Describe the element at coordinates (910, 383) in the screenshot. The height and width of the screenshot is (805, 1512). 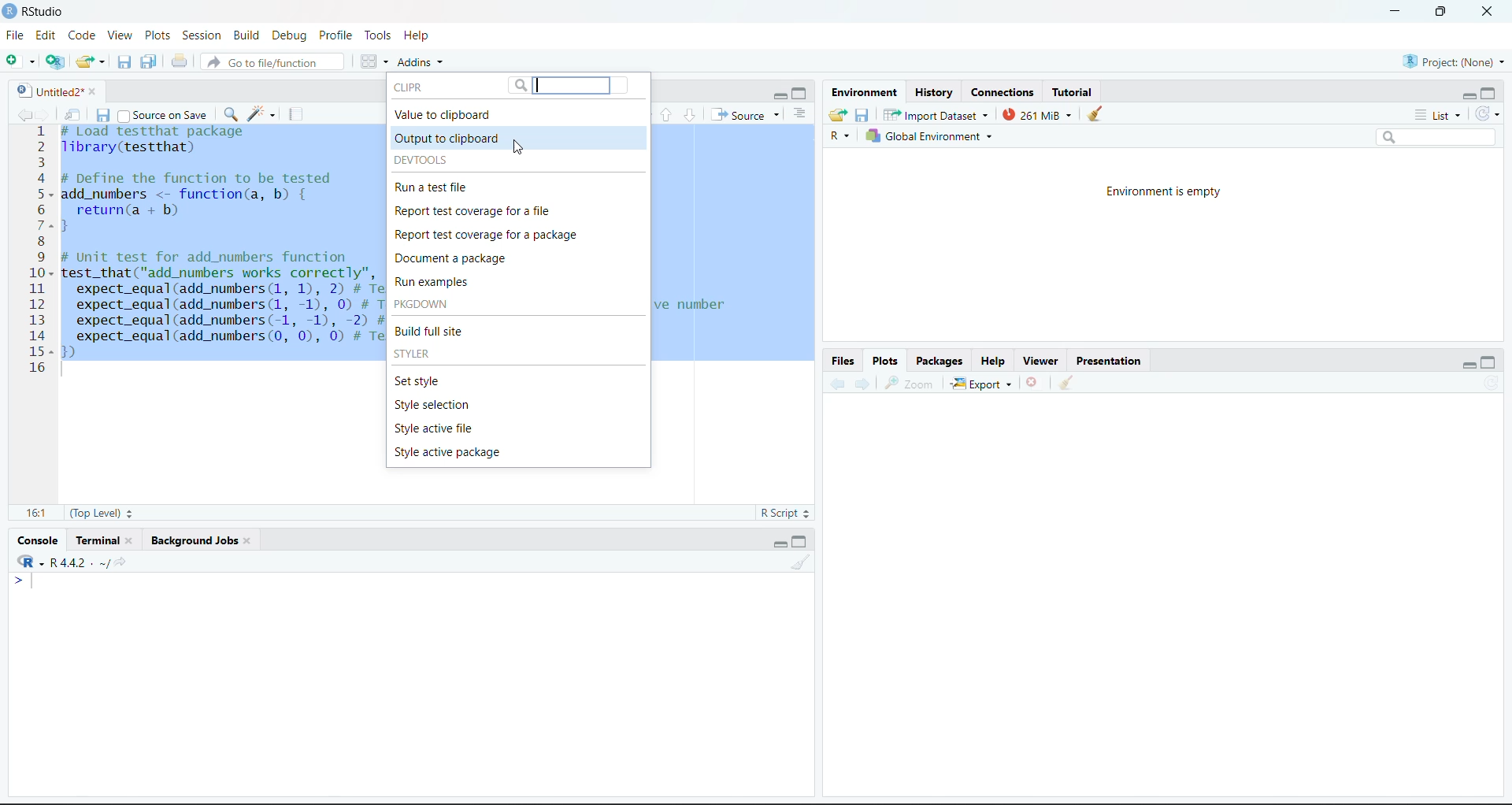
I see `Zoom` at that location.